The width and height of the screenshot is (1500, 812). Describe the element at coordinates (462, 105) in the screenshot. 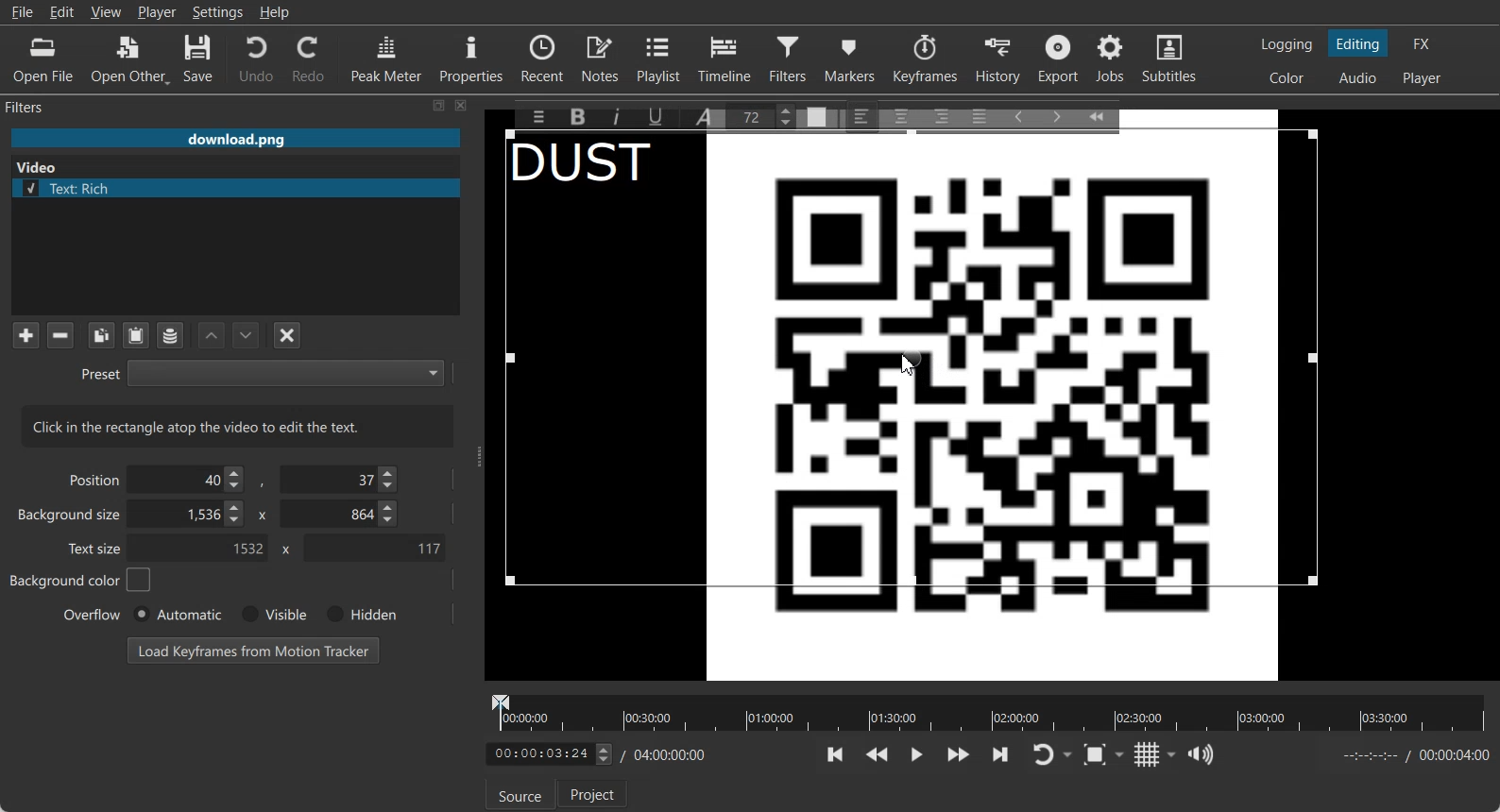

I see `Close` at that location.